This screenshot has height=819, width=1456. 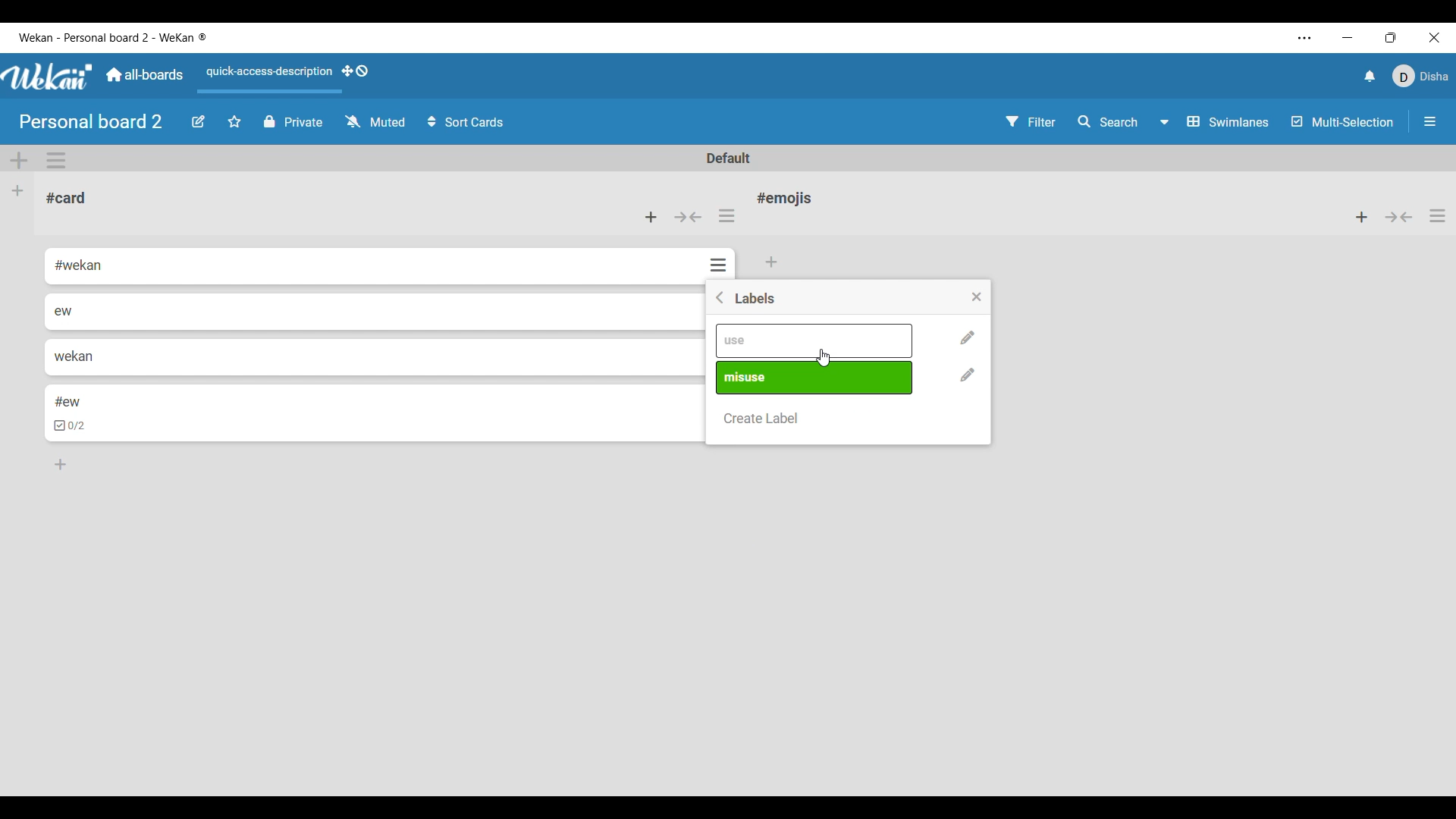 I want to click on Add swimlane, so click(x=19, y=161).